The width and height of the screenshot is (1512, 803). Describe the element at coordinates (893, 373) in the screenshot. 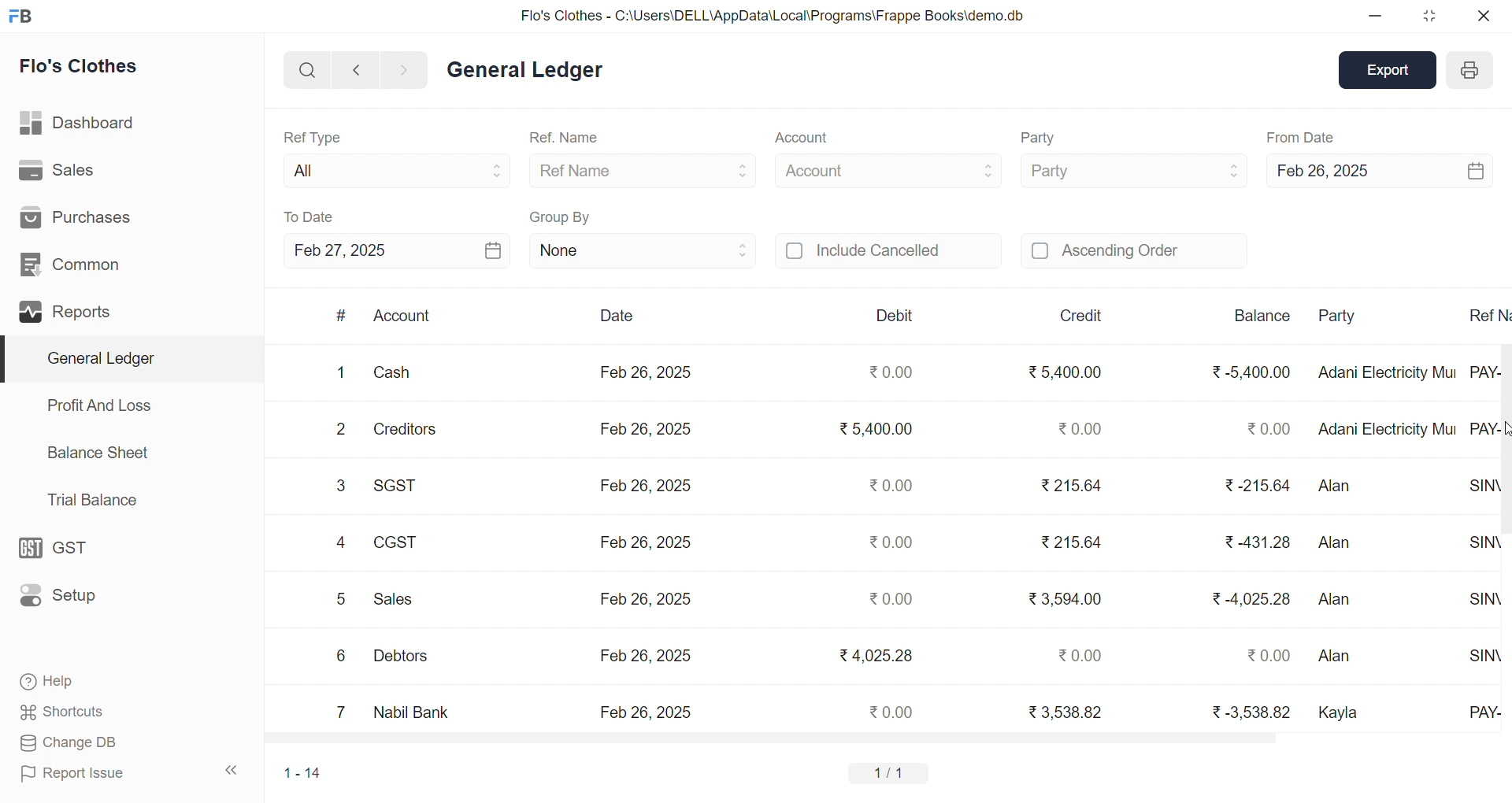

I see `₹0.00` at that location.